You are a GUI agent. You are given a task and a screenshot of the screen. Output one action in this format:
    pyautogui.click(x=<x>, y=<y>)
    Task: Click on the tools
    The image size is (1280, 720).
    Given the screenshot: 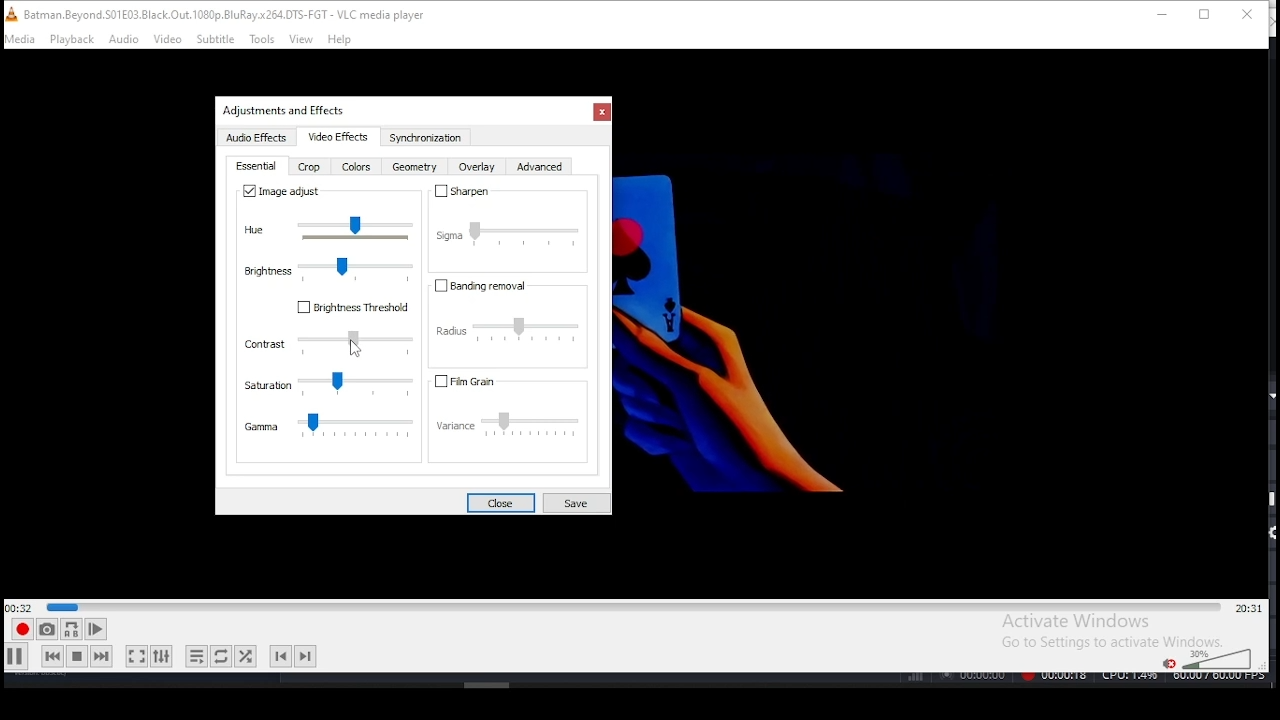 What is the action you would take?
    pyautogui.click(x=262, y=39)
    